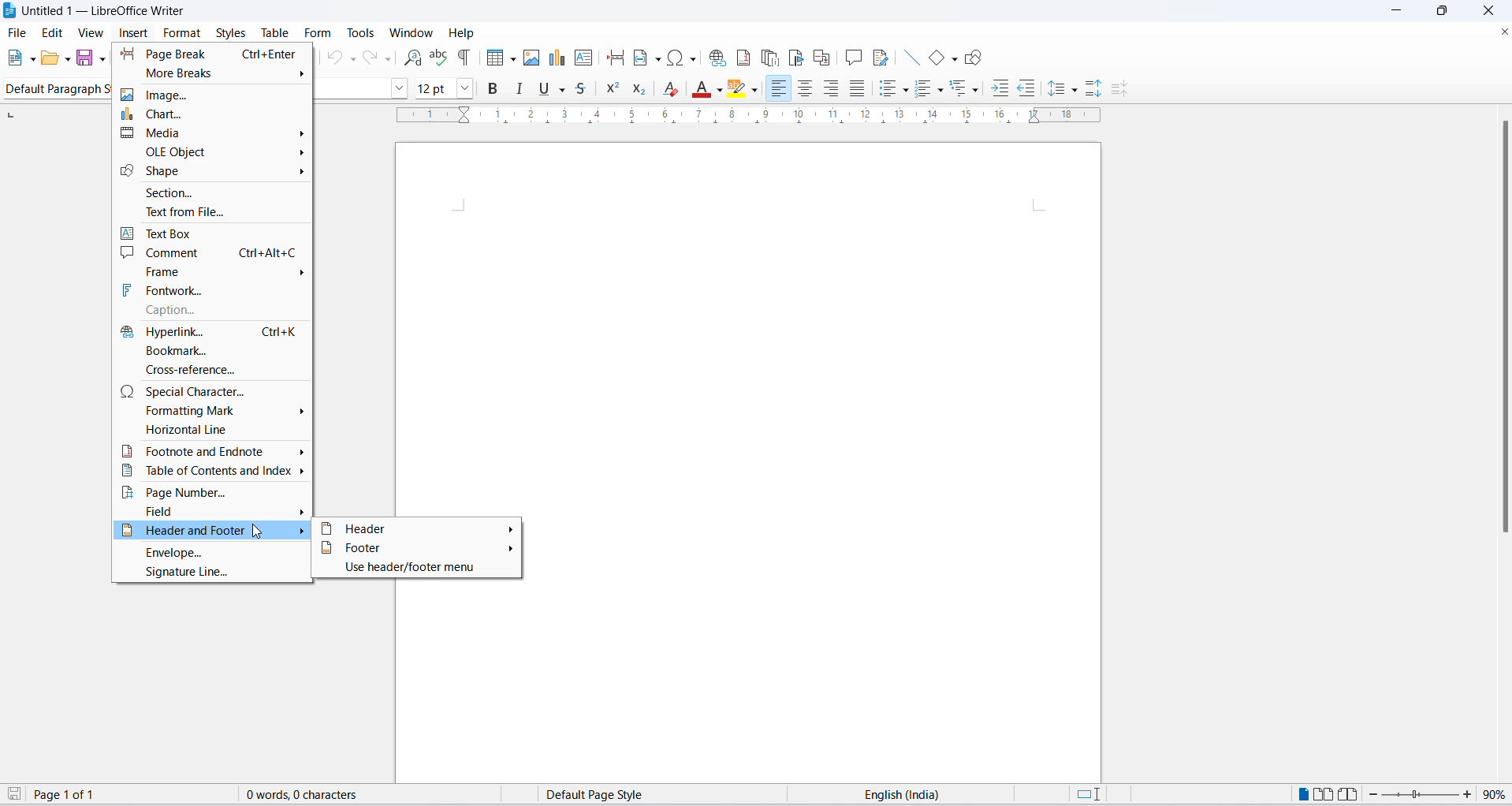 This screenshot has height=806, width=1512. I want to click on special character, so click(212, 390).